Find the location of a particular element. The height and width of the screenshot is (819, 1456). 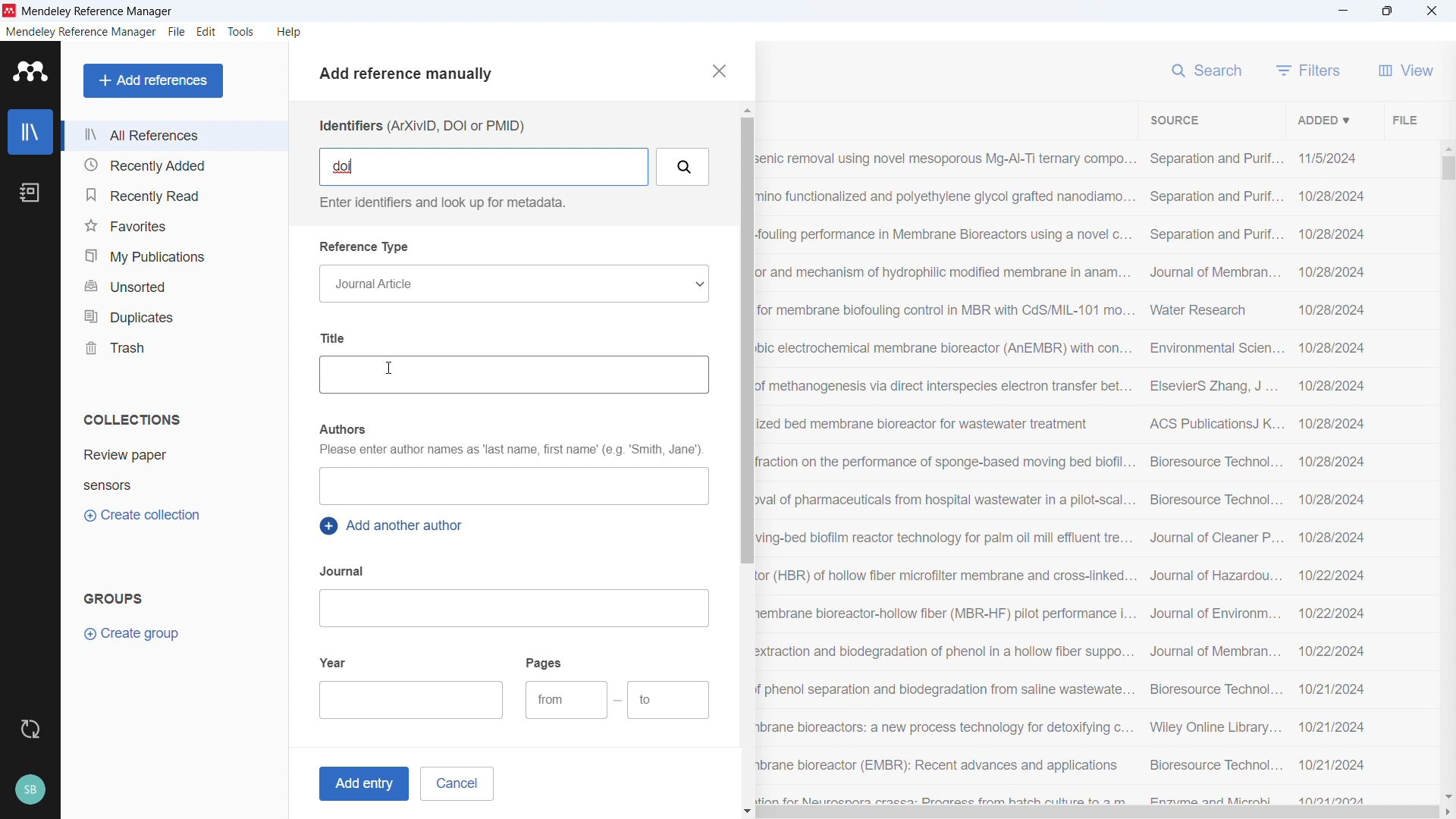

Sync  is located at coordinates (30, 730).